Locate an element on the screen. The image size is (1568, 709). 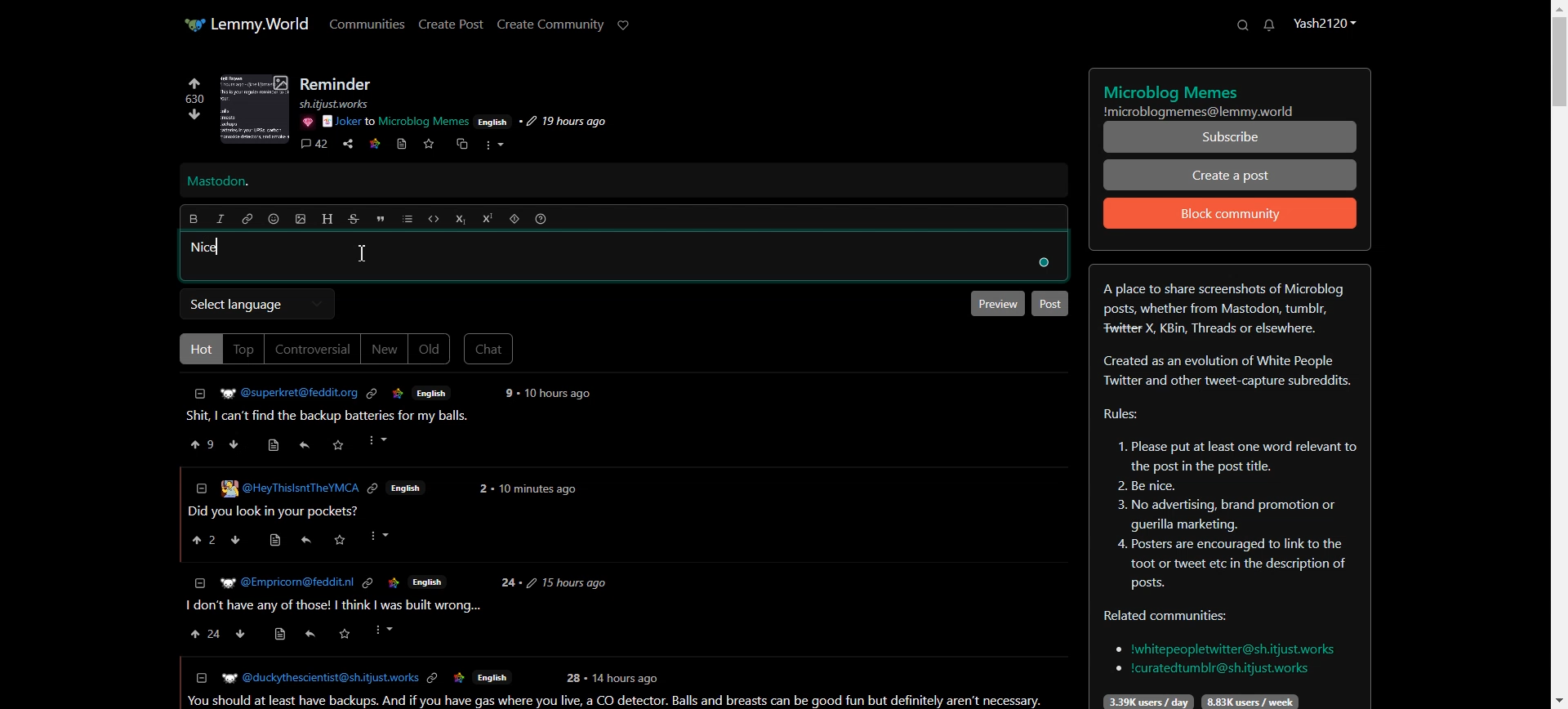
 is located at coordinates (285, 582).